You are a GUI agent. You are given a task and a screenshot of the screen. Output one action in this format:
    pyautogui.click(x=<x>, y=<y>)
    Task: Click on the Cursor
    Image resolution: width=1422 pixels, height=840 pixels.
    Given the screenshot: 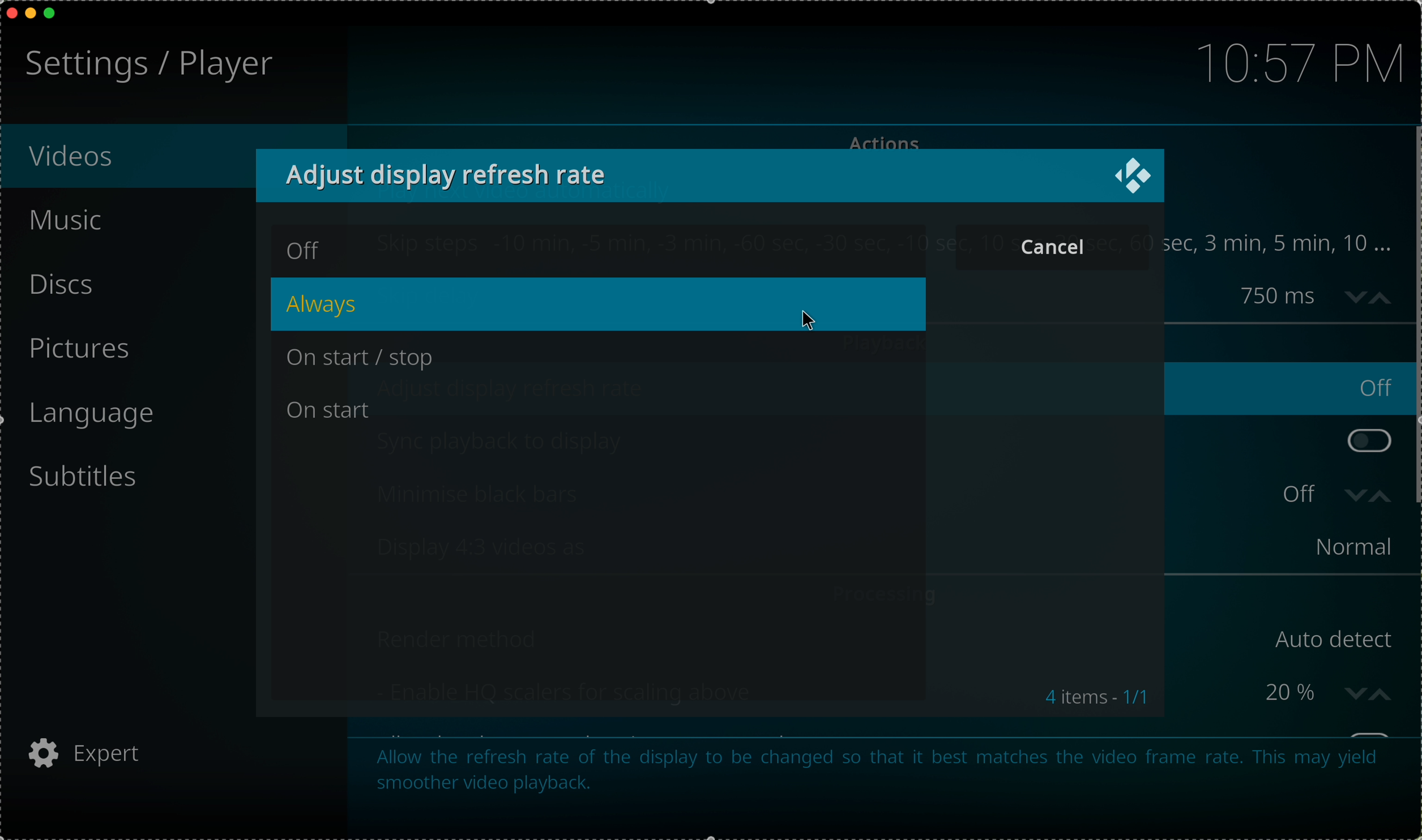 What is the action you would take?
    pyautogui.click(x=809, y=322)
    